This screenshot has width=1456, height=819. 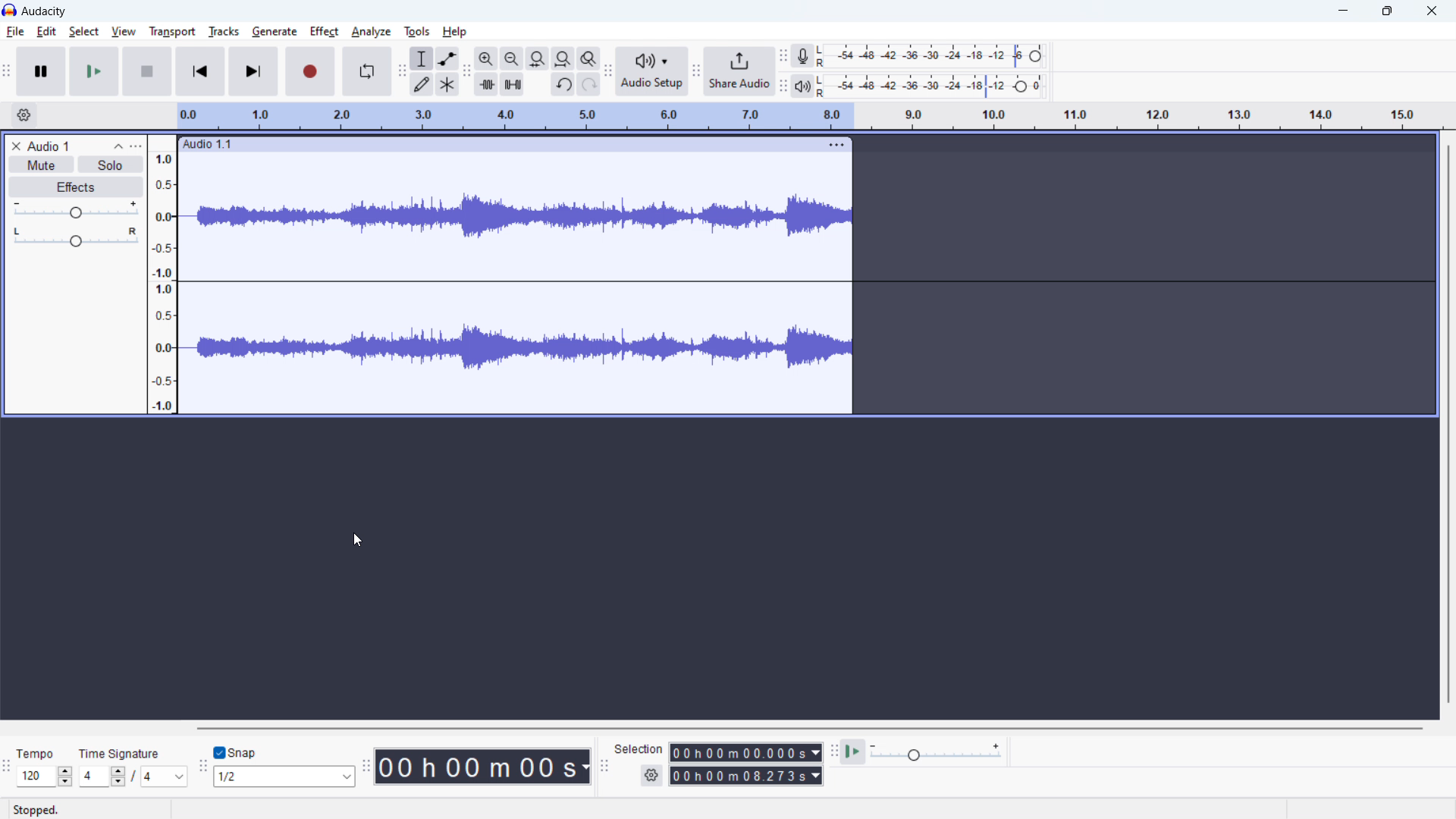 I want to click on time signature toolbar, so click(x=7, y=767).